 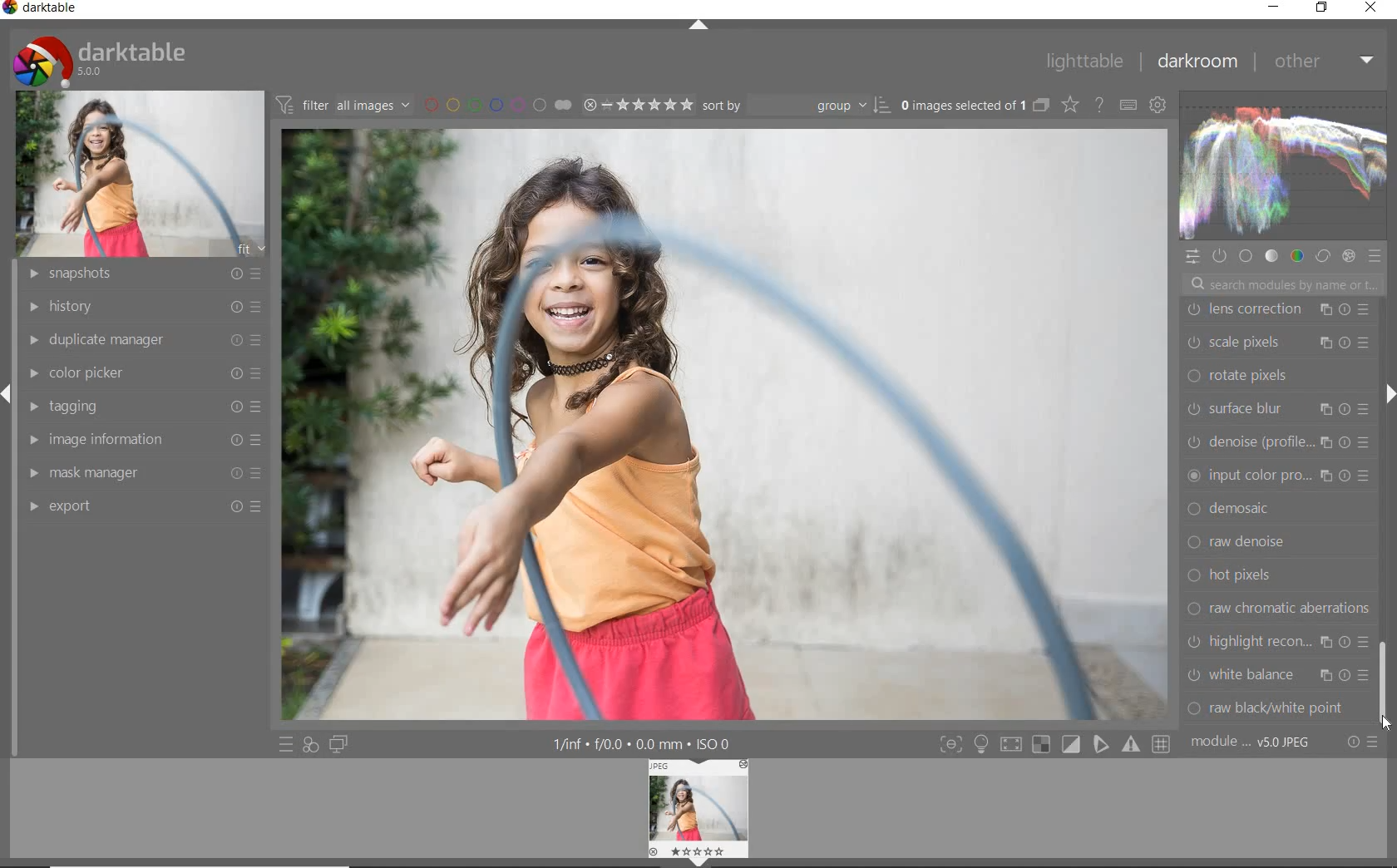 I want to click on enable for online help, so click(x=1098, y=105).